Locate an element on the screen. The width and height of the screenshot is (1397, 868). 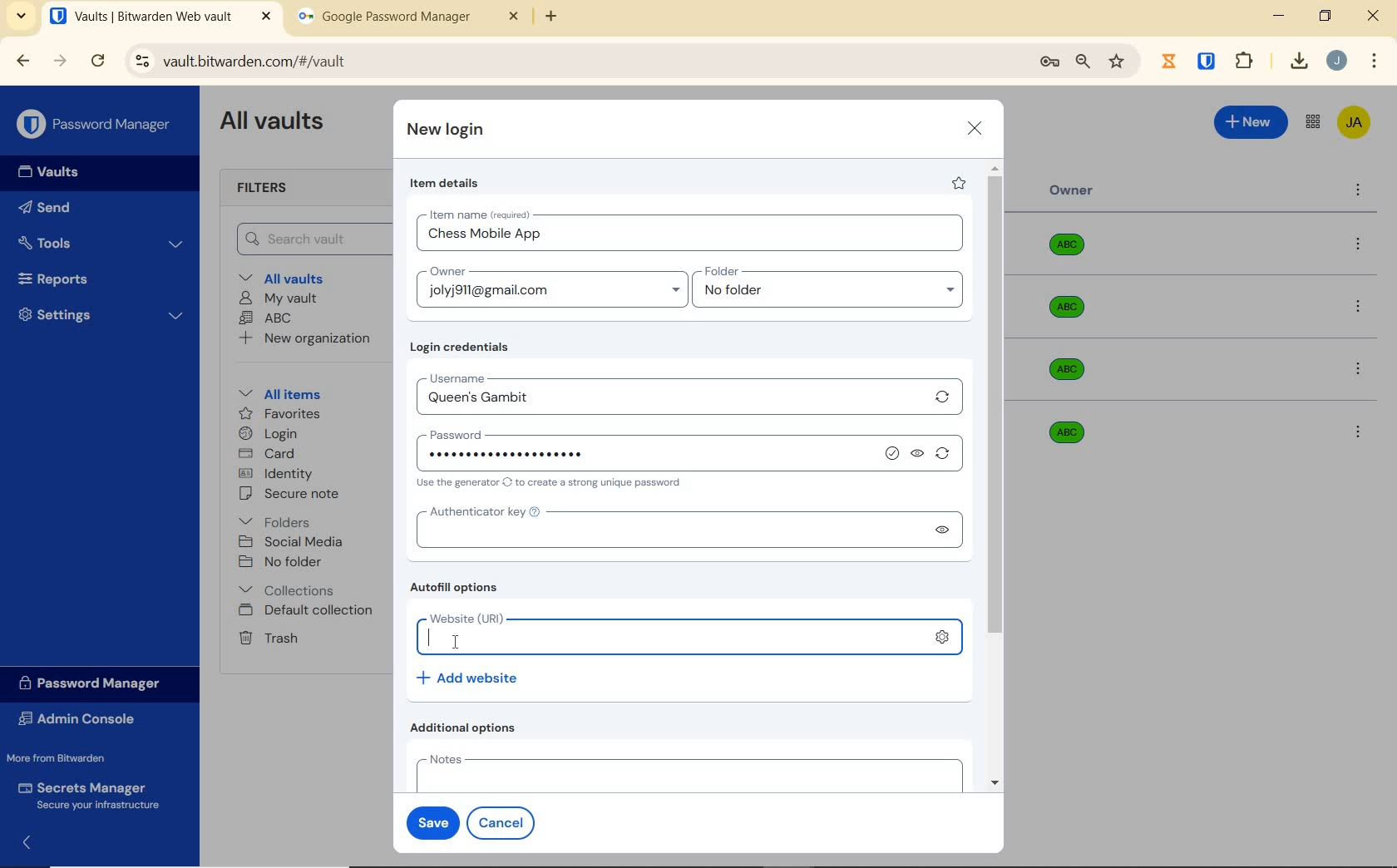
New login is located at coordinates (447, 131).